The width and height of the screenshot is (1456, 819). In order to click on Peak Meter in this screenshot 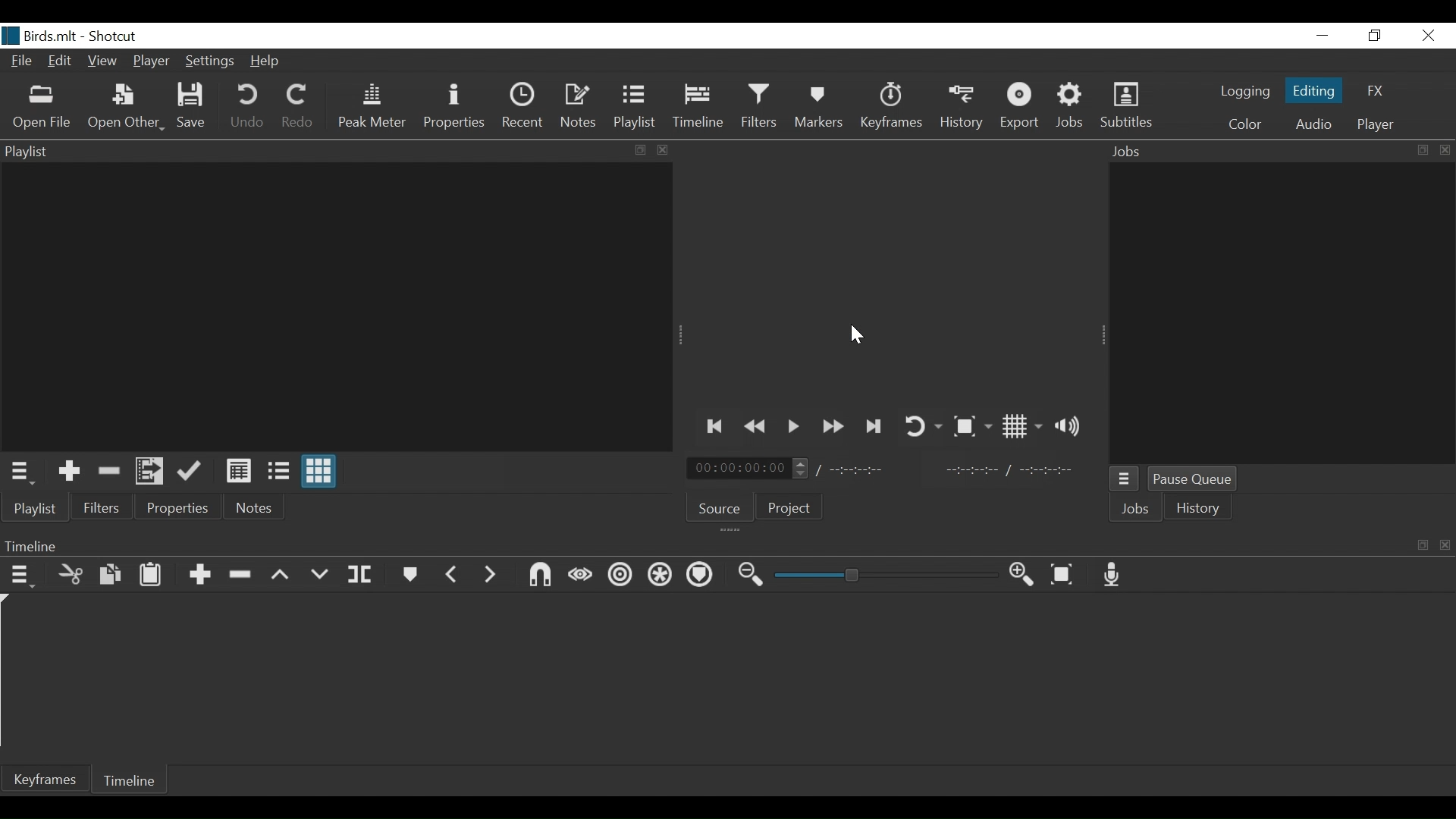, I will do `click(372, 106)`.